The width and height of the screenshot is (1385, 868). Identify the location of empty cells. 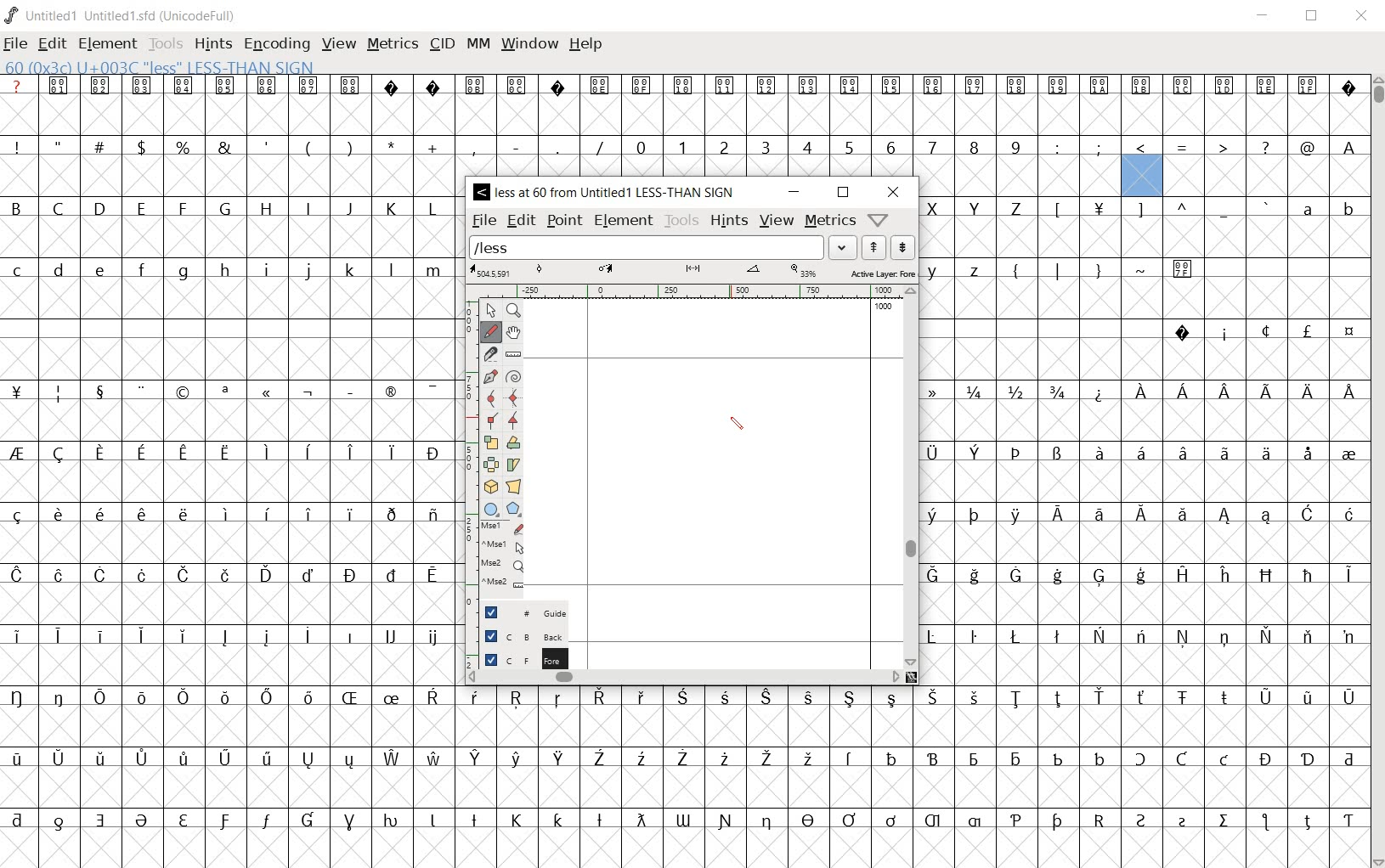
(232, 235).